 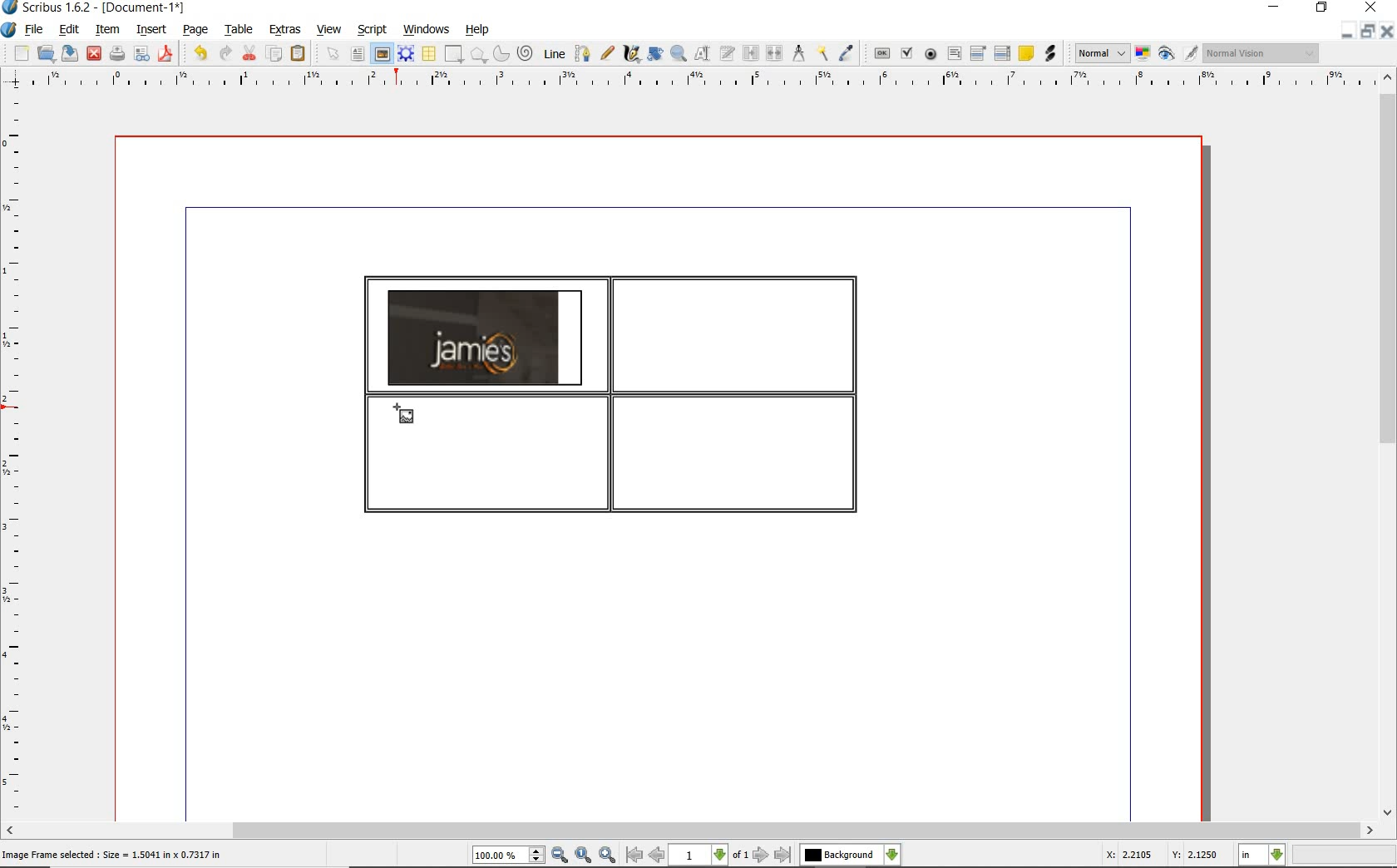 What do you see at coordinates (150, 31) in the screenshot?
I see `insert` at bounding box center [150, 31].